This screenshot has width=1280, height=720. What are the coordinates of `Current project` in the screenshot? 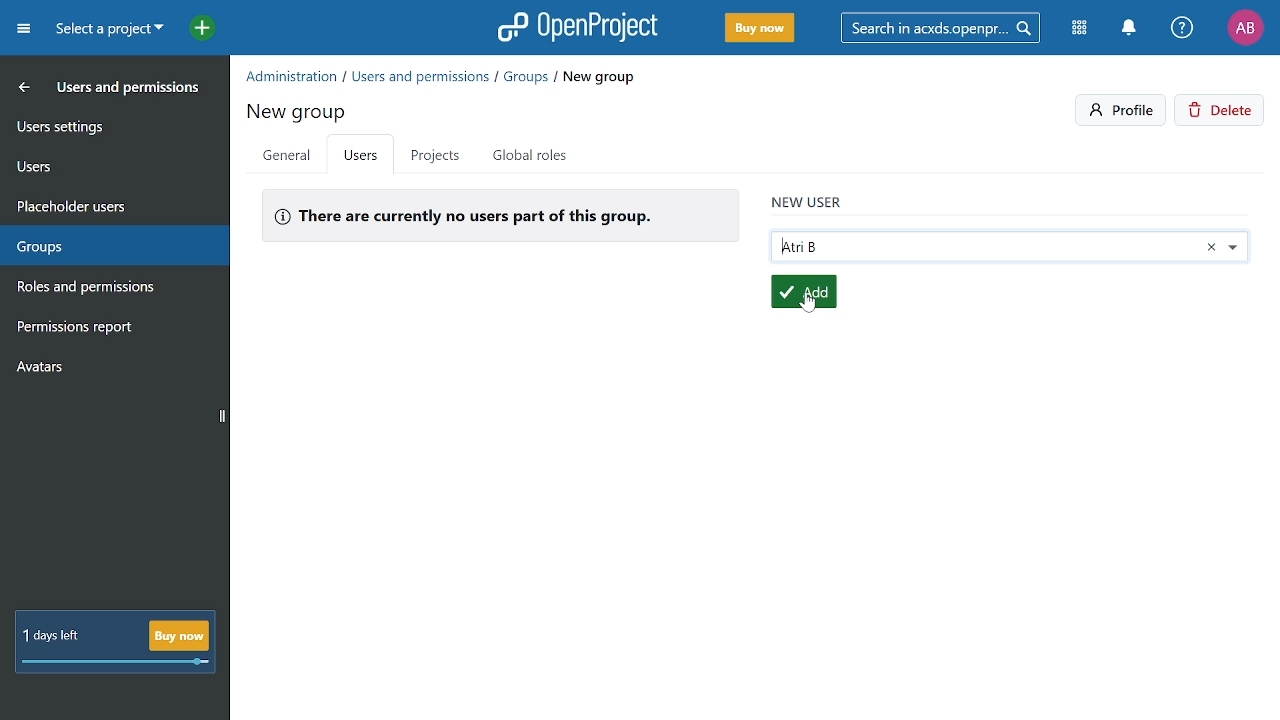 It's located at (107, 31).